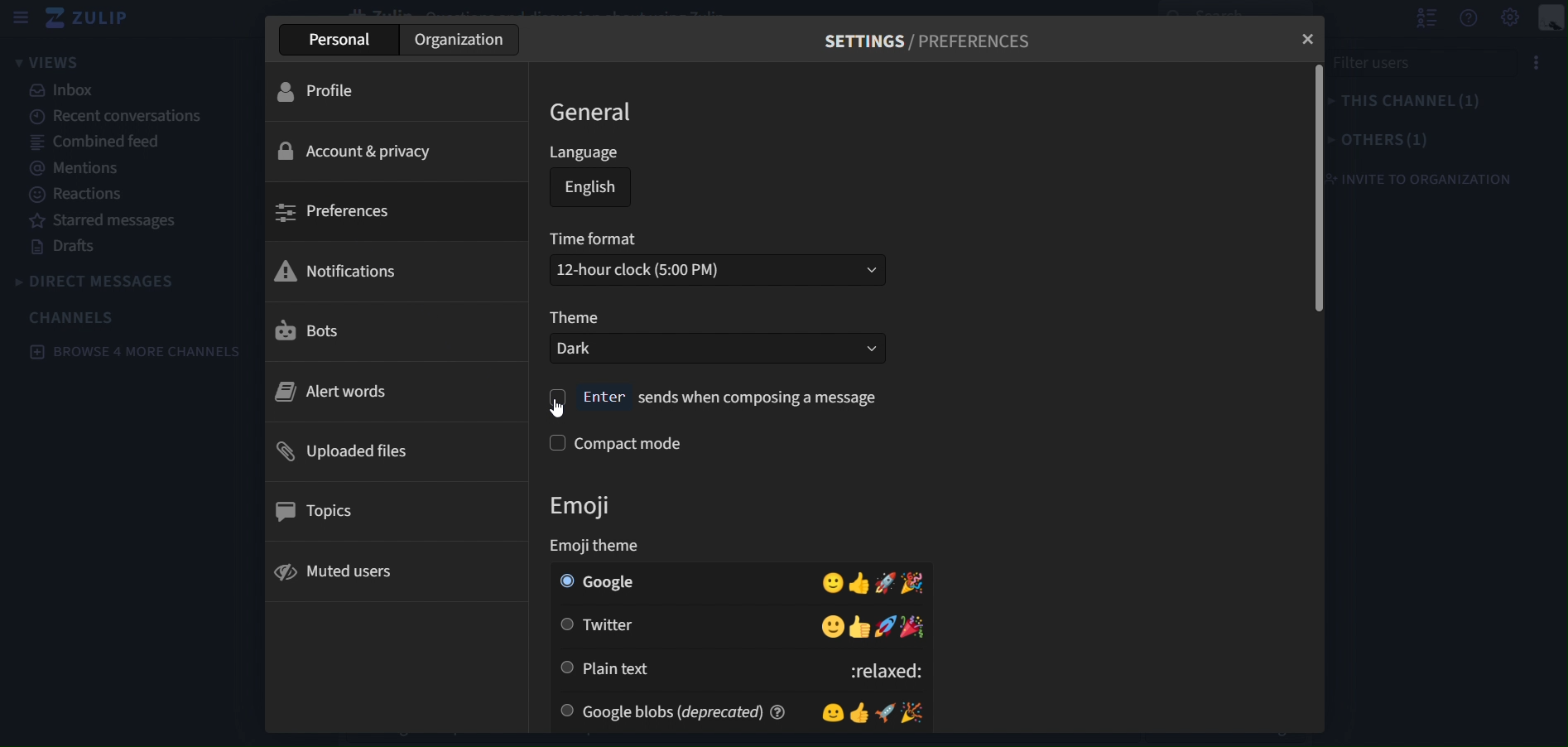  What do you see at coordinates (716, 399) in the screenshot?
I see `enter sends when composing message` at bounding box center [716, 399].